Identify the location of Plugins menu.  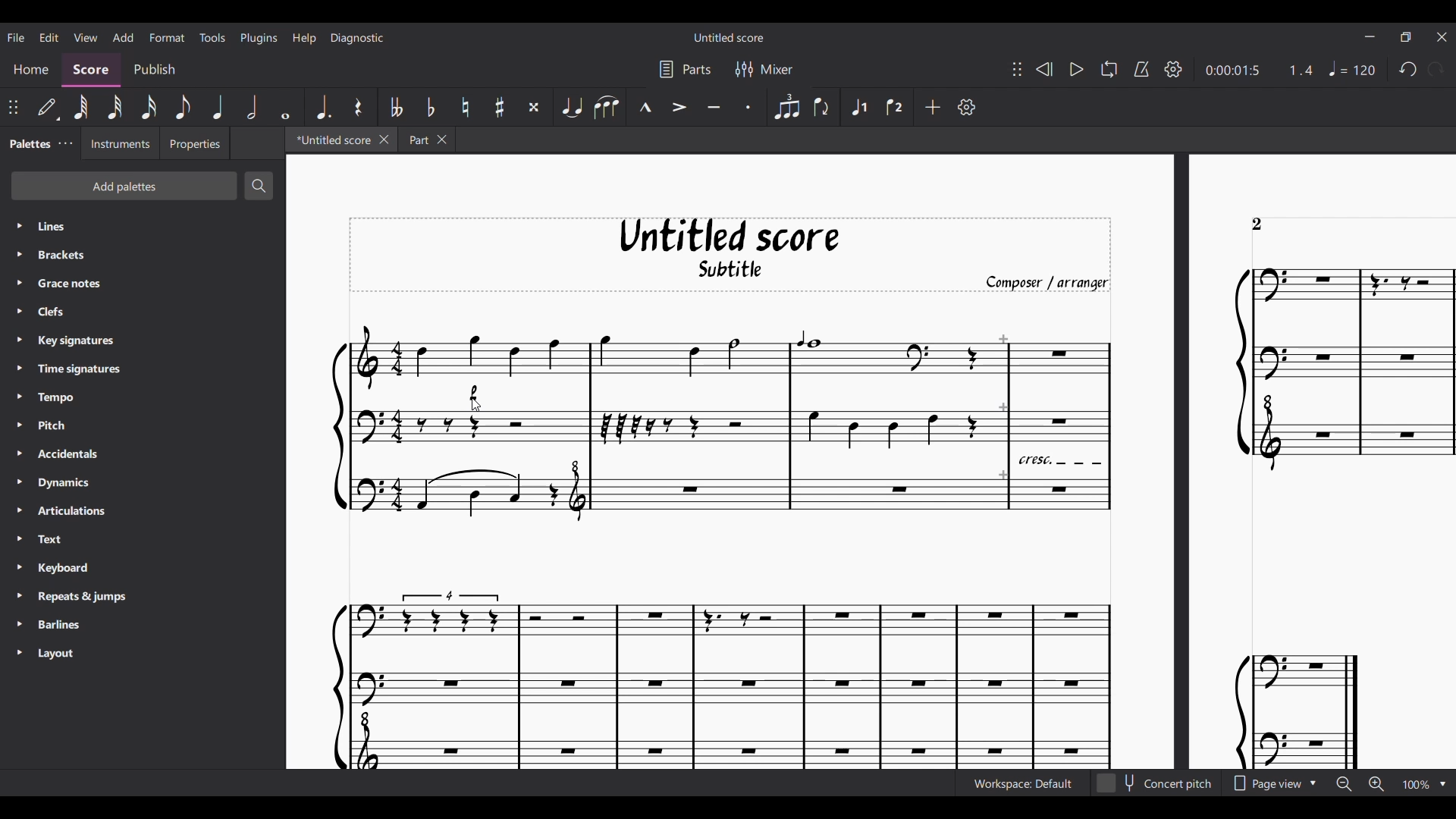
(259, 38).